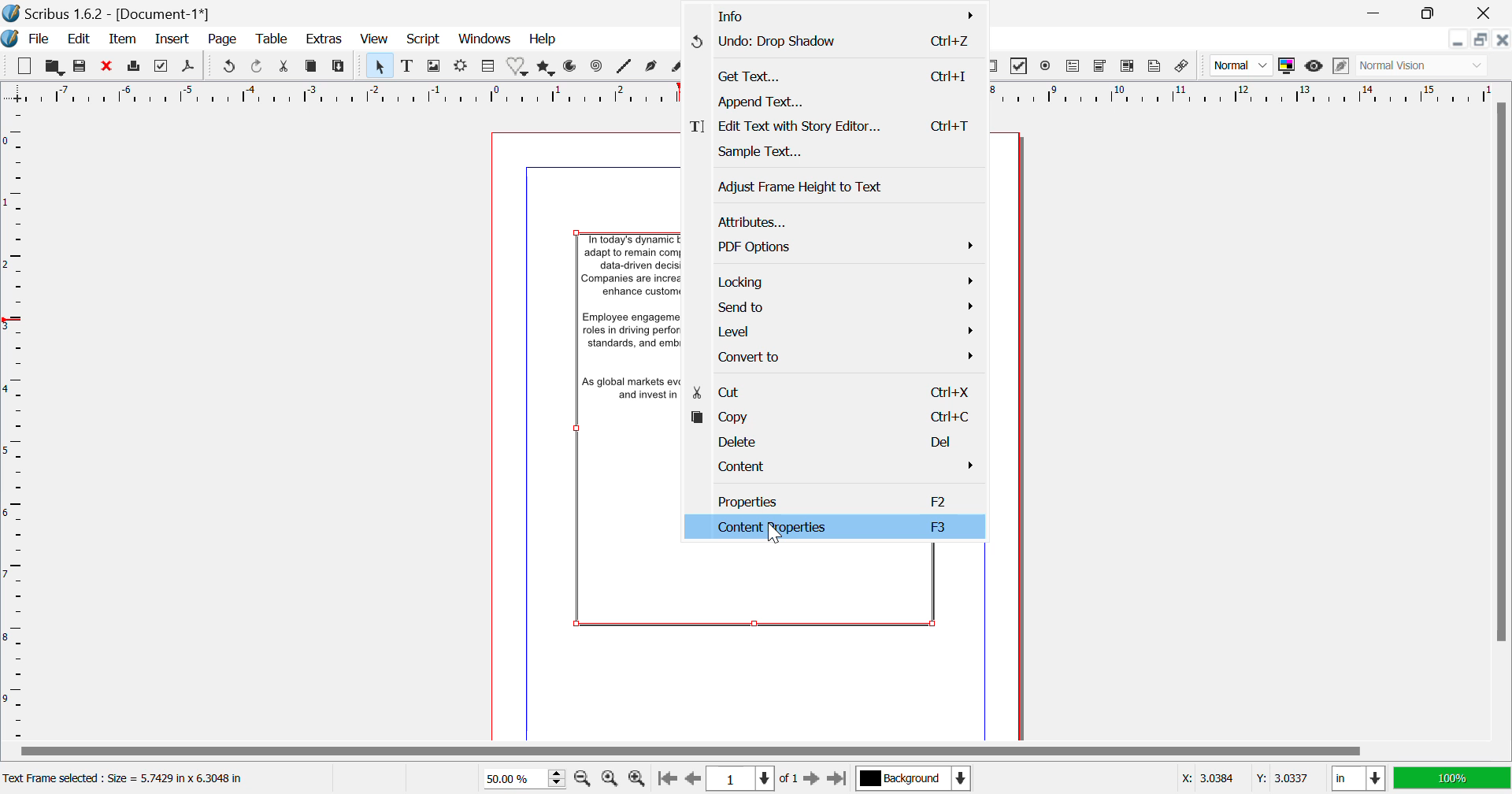 The height and width of the screenshot is (794, 1512). I want to click on Properties, so click(839, 500).